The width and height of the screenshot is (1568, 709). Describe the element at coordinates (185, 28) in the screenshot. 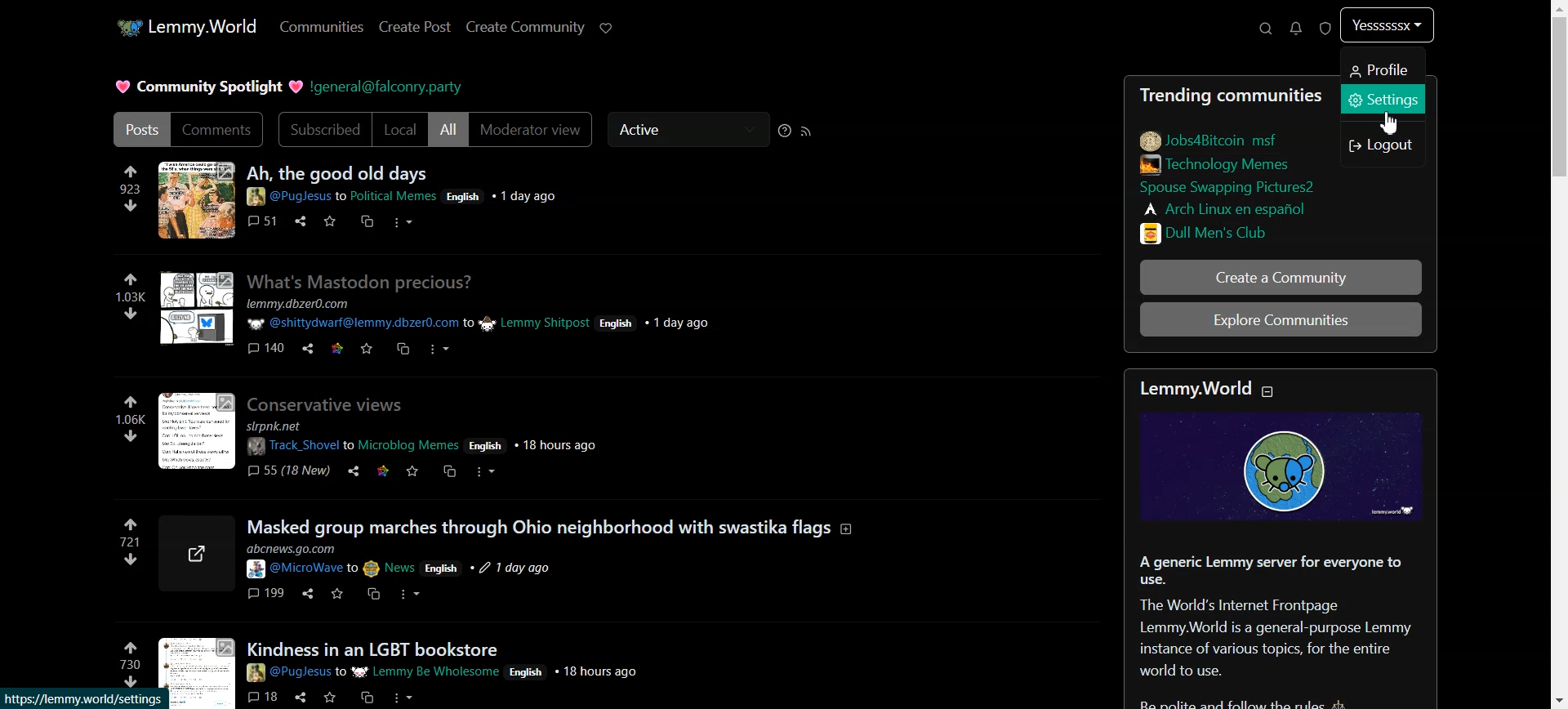

I see `Home page` at that location.